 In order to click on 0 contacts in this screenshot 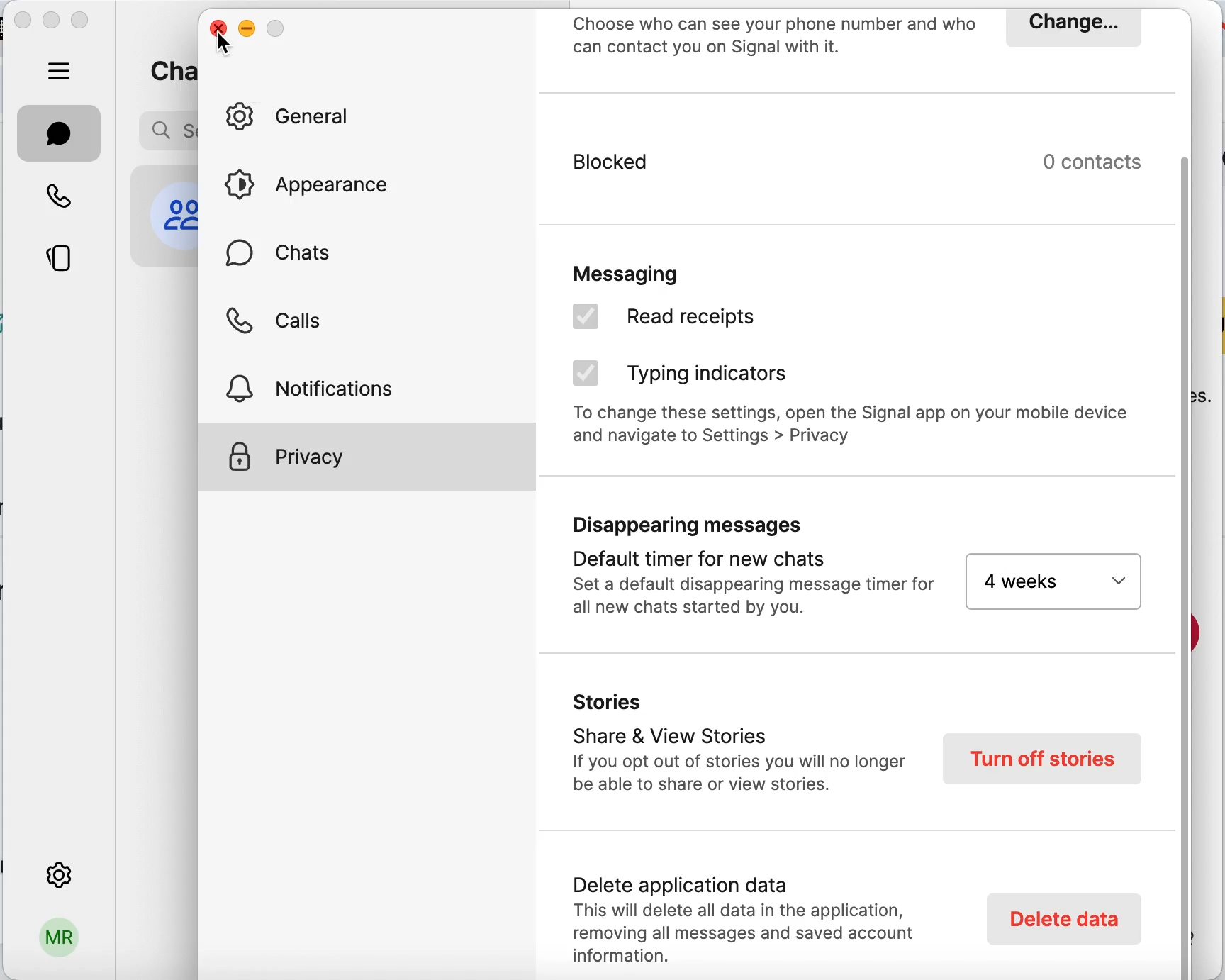, I will do `click(1102, 162)`.